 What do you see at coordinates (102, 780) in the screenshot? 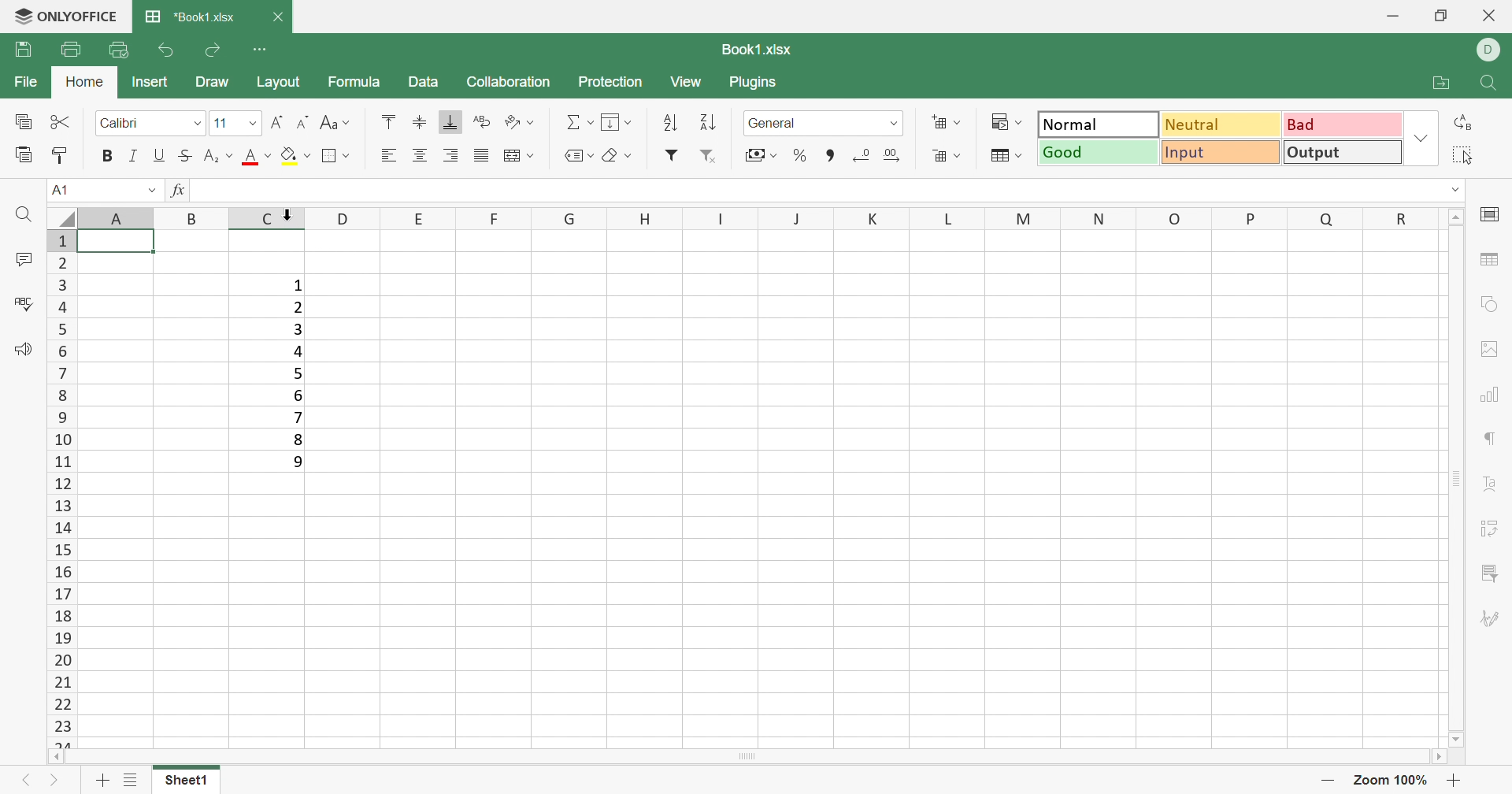
I see `Add sheet` at bounding box center [102, 780].